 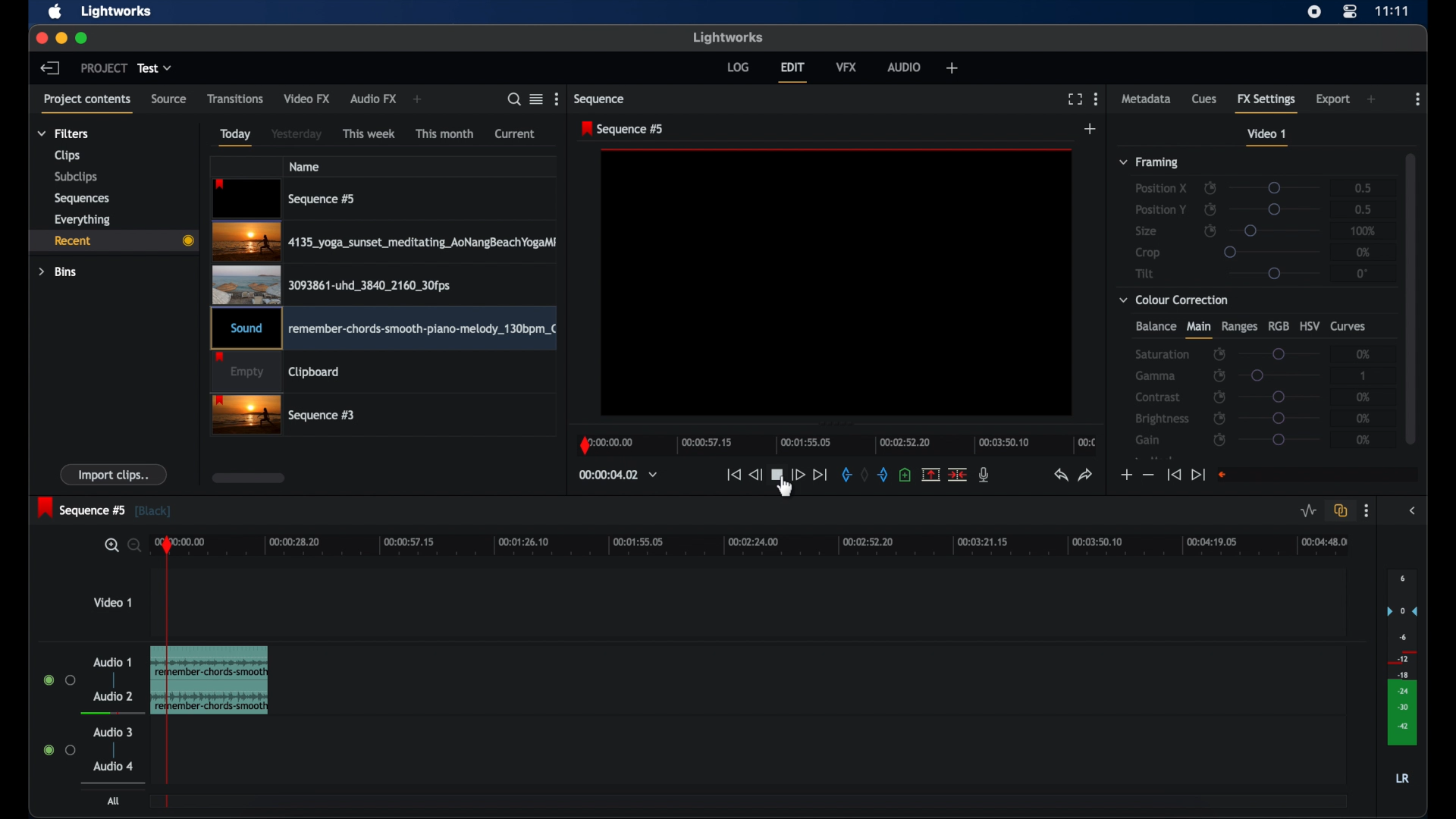 What do you see at coordinates (904, 67) in the screenshot?
I see `audio` at bounding box center [904, 67].